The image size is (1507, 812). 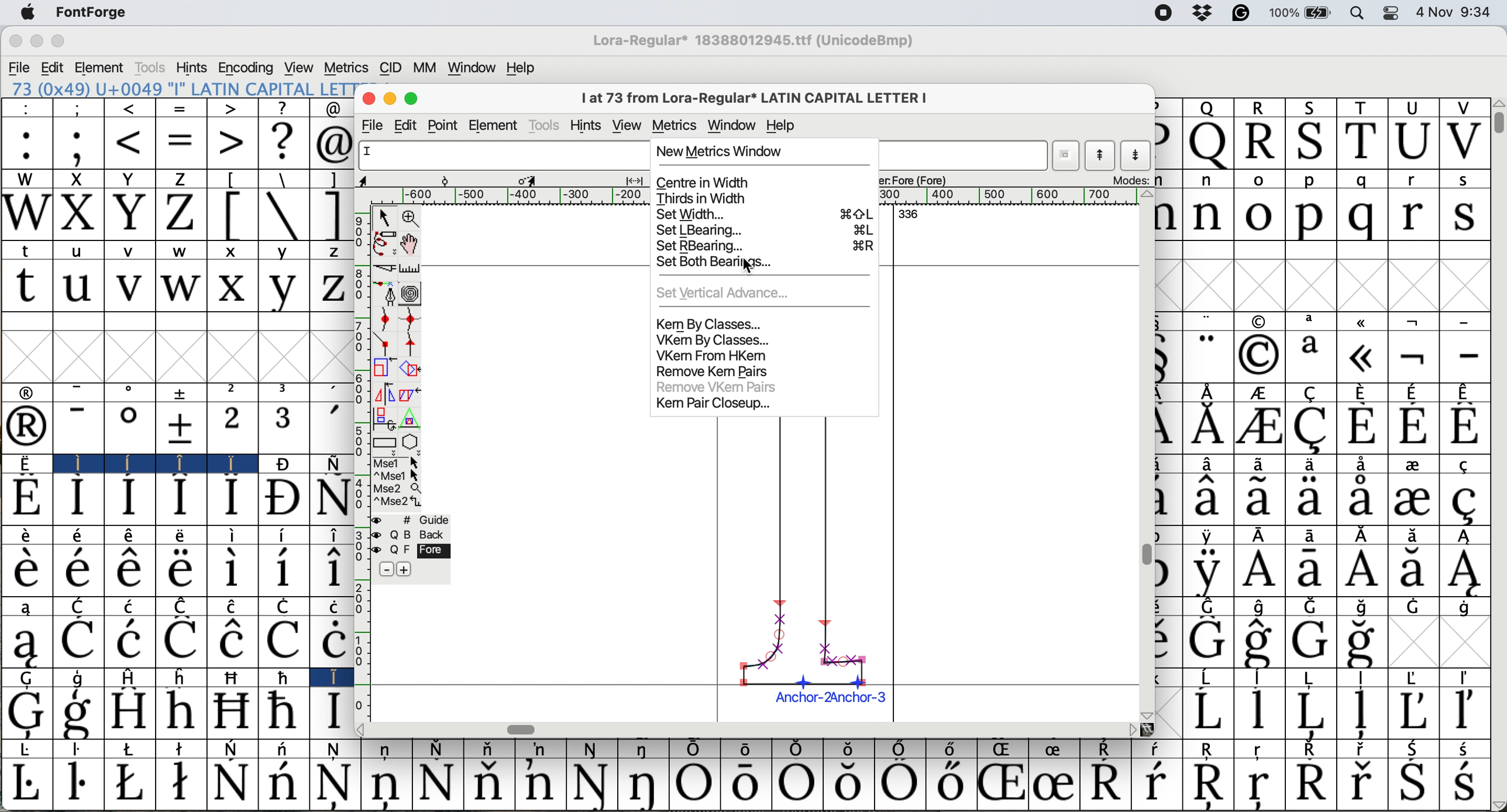 I want to click on @, so click(x=332, y=109).